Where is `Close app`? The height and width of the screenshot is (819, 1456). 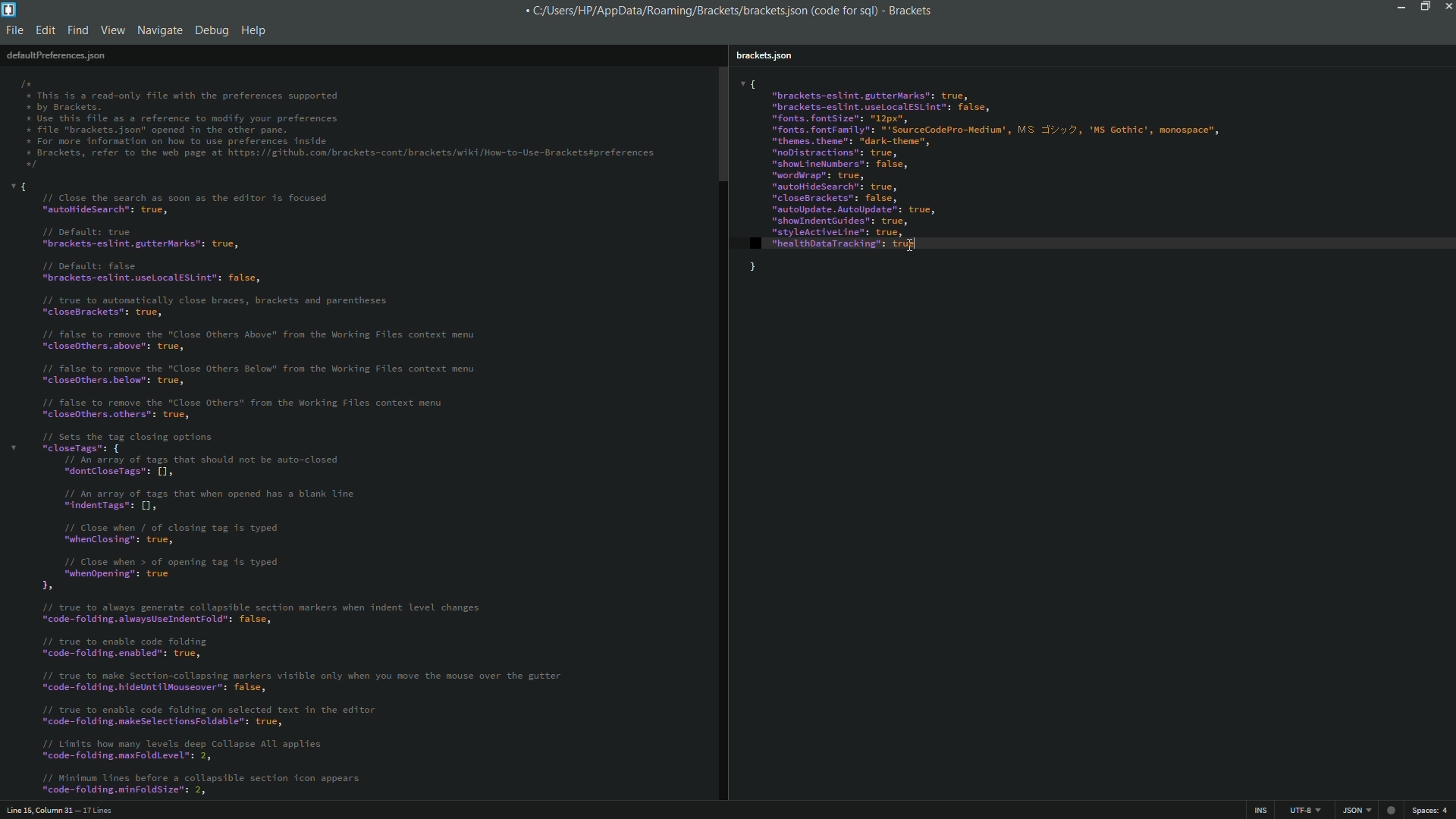
Close app is located at coordinates (1447, 6).